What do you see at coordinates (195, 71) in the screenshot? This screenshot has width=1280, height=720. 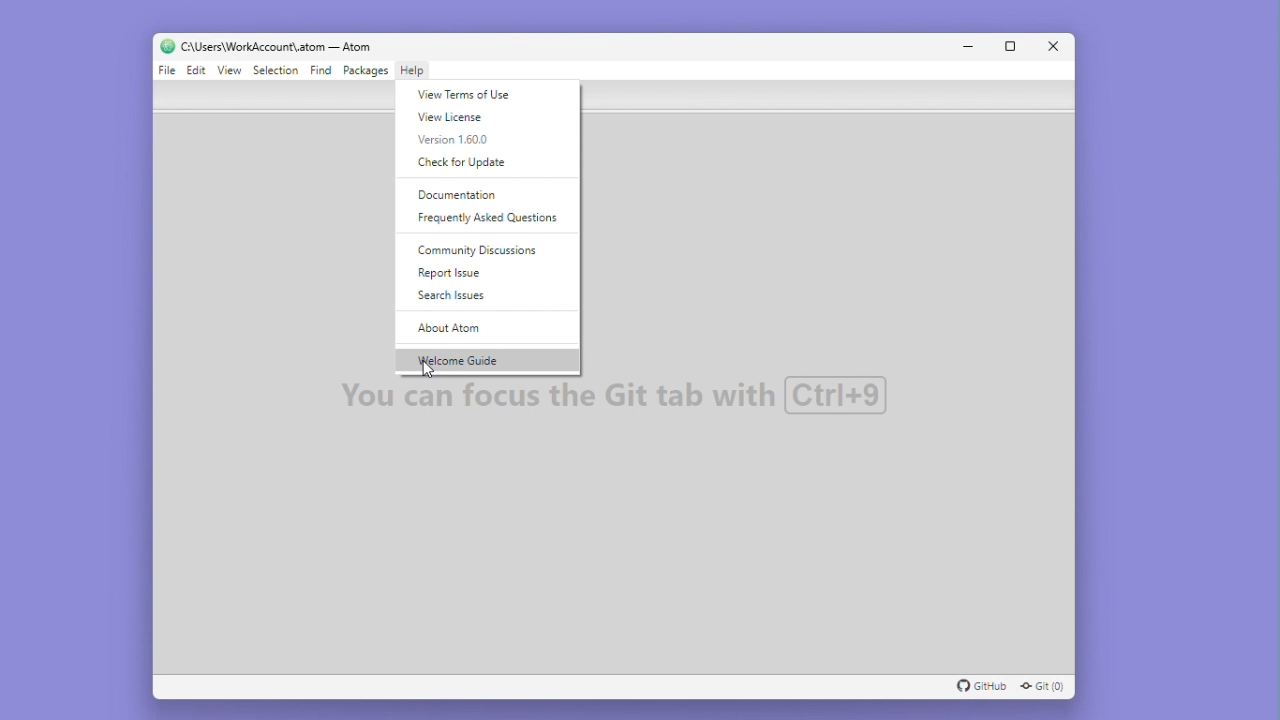 I see `Edit` at bounding box center [195, 71].